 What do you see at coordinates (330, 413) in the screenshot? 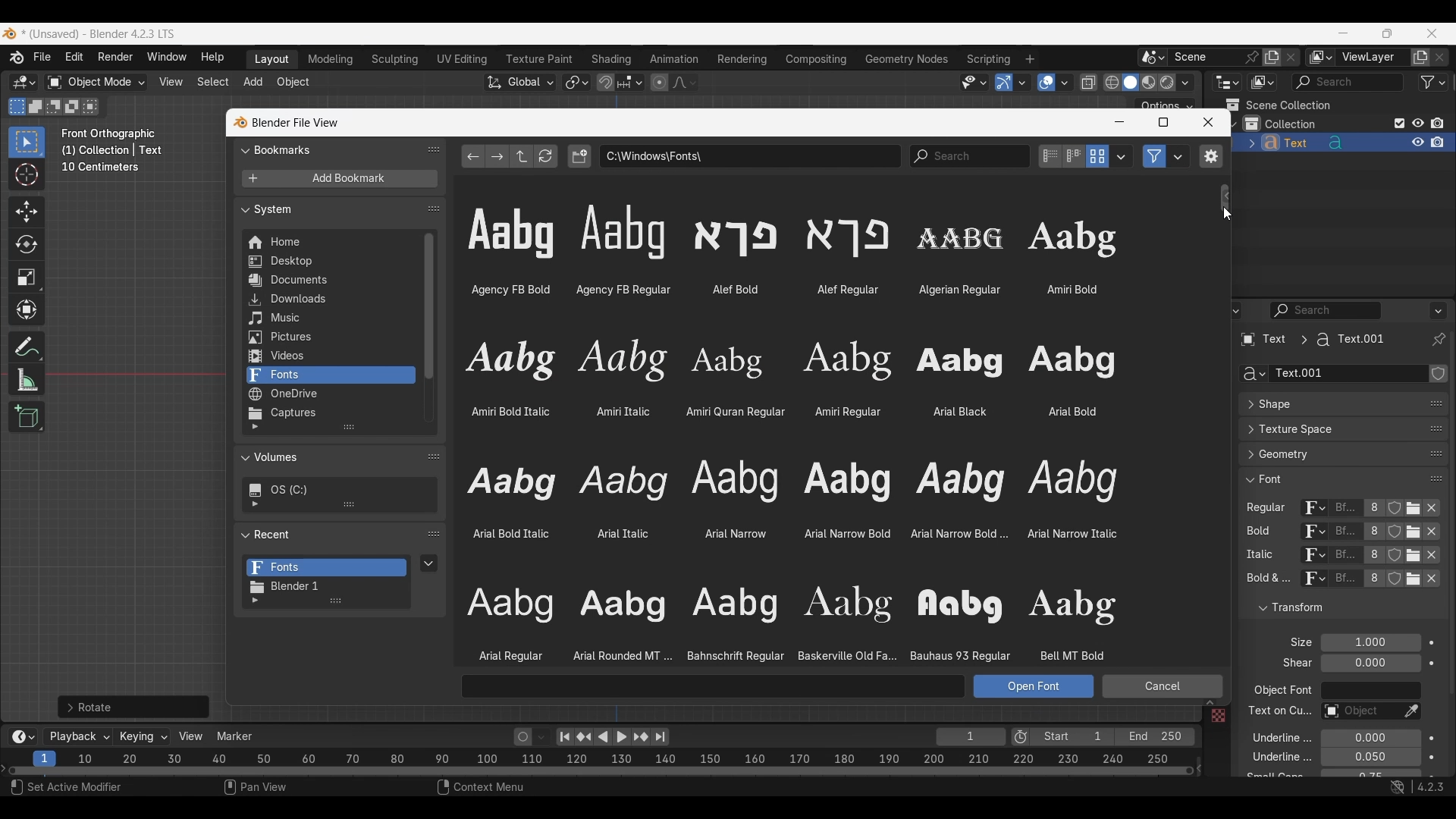
I see `Captures folder` at bounding box center [330, 413].